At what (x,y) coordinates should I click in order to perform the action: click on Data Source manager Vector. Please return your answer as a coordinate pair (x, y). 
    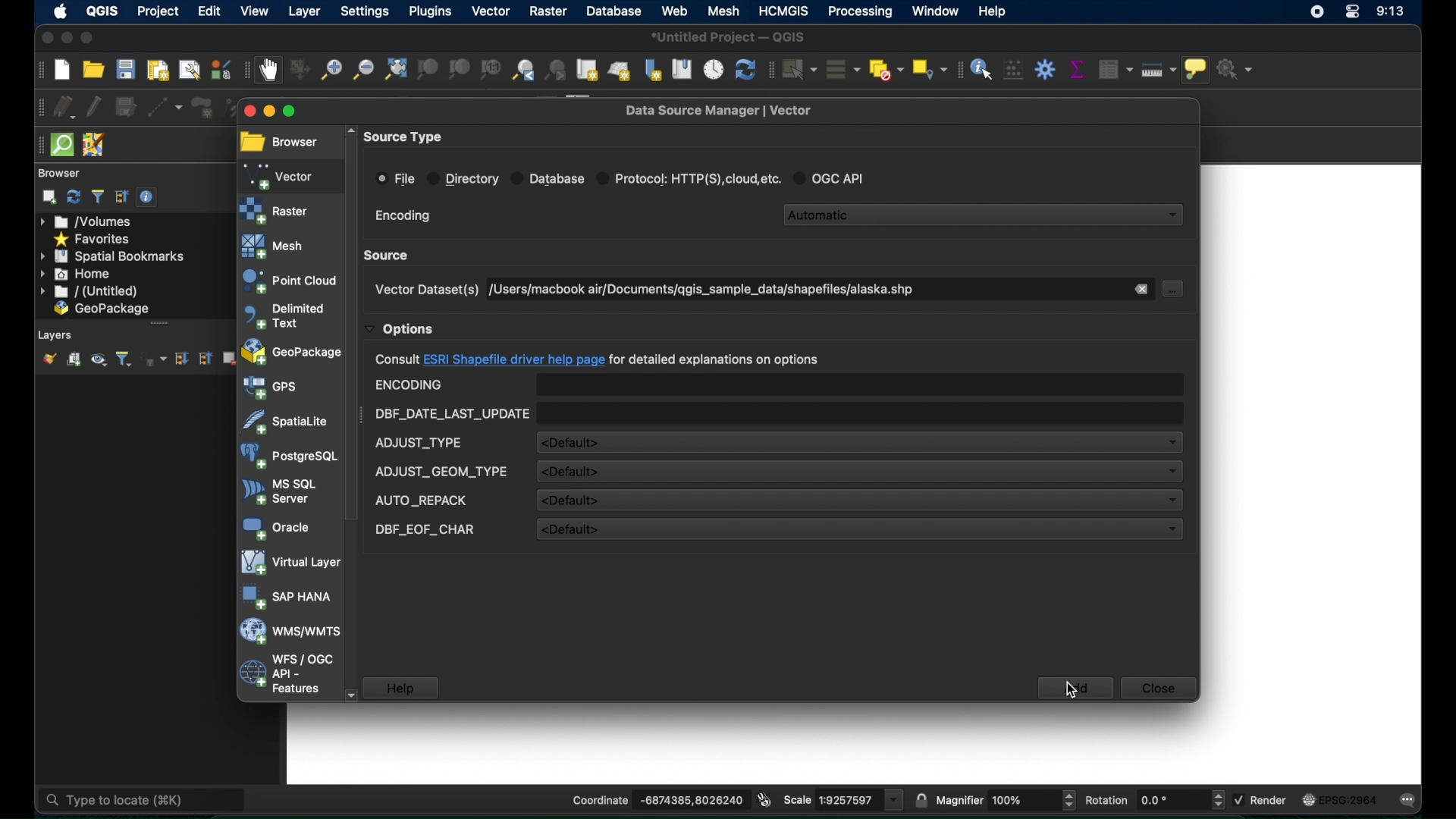
    Looking at the image, I should click on (726, 109).